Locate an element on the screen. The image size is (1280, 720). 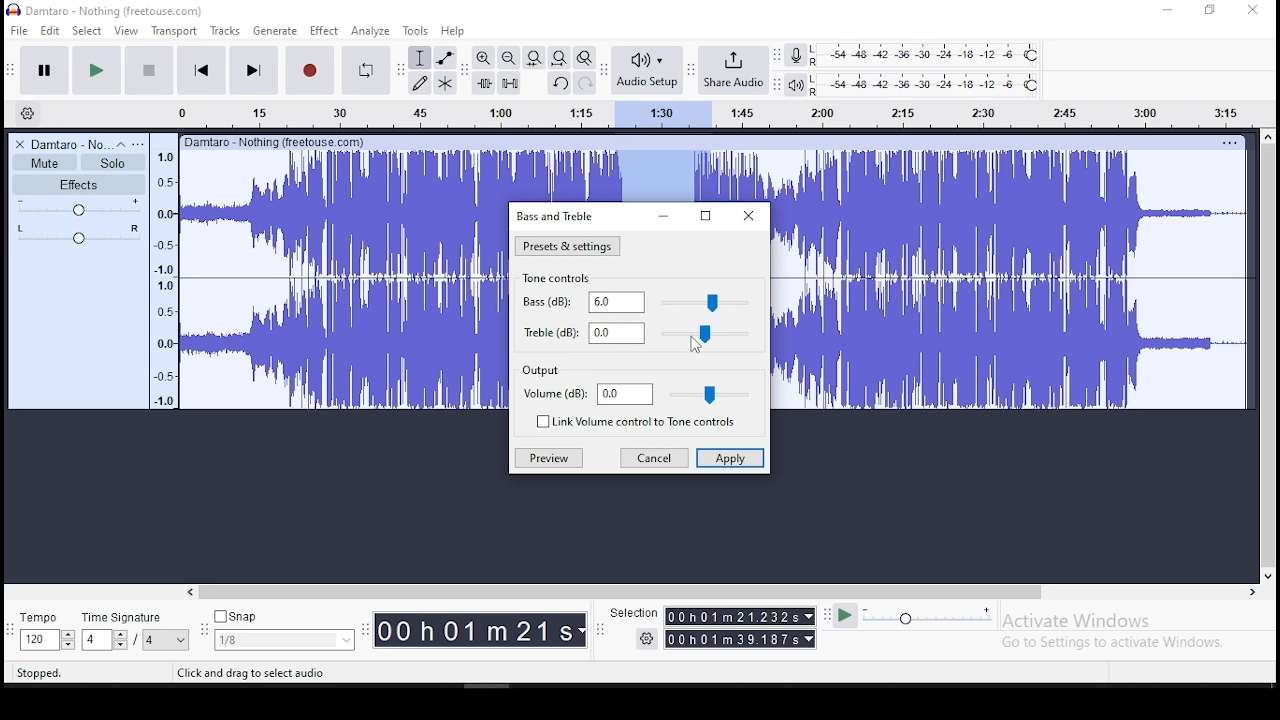
track's timing is located at coordinates (639, 175).